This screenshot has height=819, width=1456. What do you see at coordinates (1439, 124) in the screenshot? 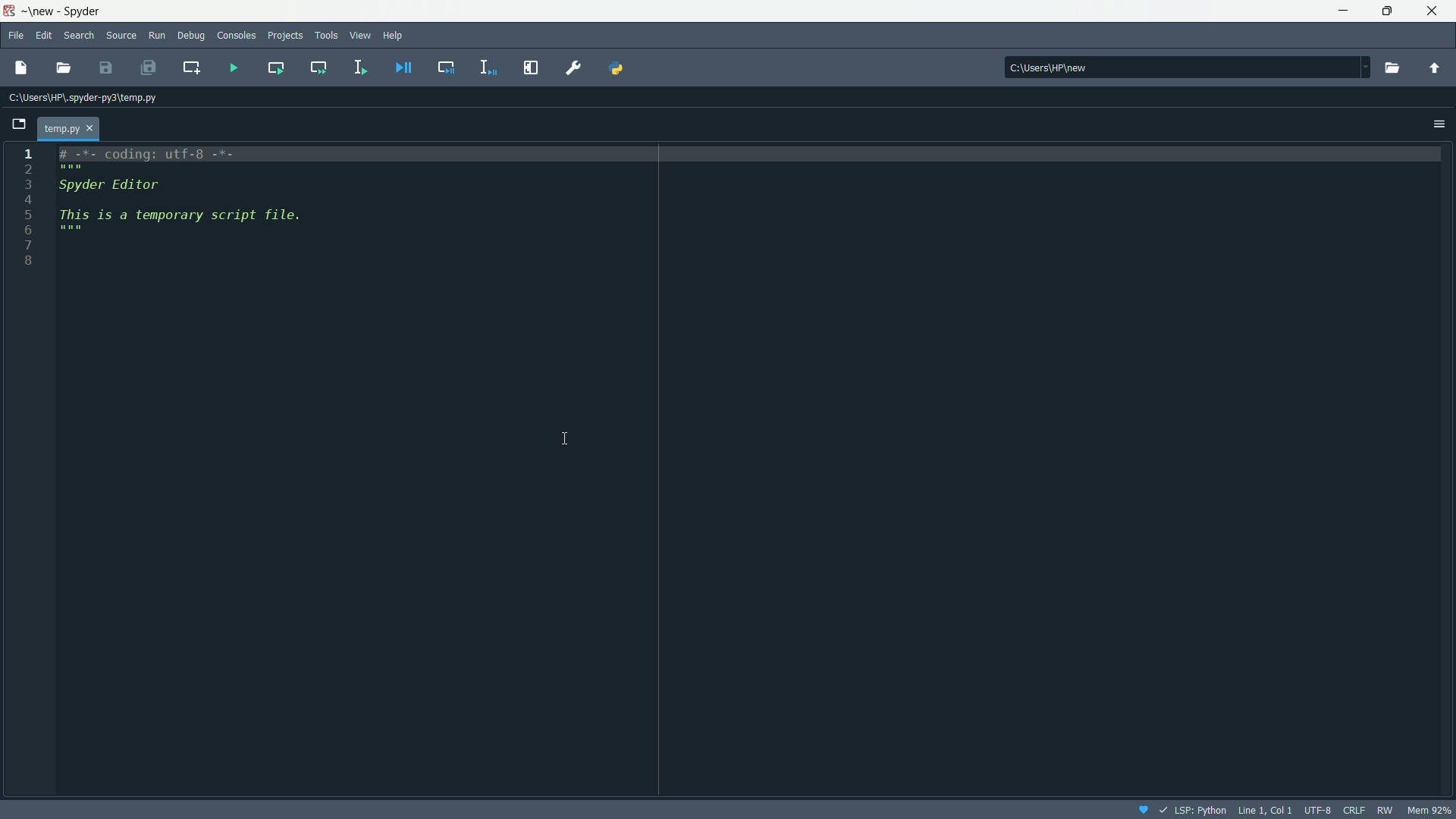
I see `options` at bounding box center [1439, 124].